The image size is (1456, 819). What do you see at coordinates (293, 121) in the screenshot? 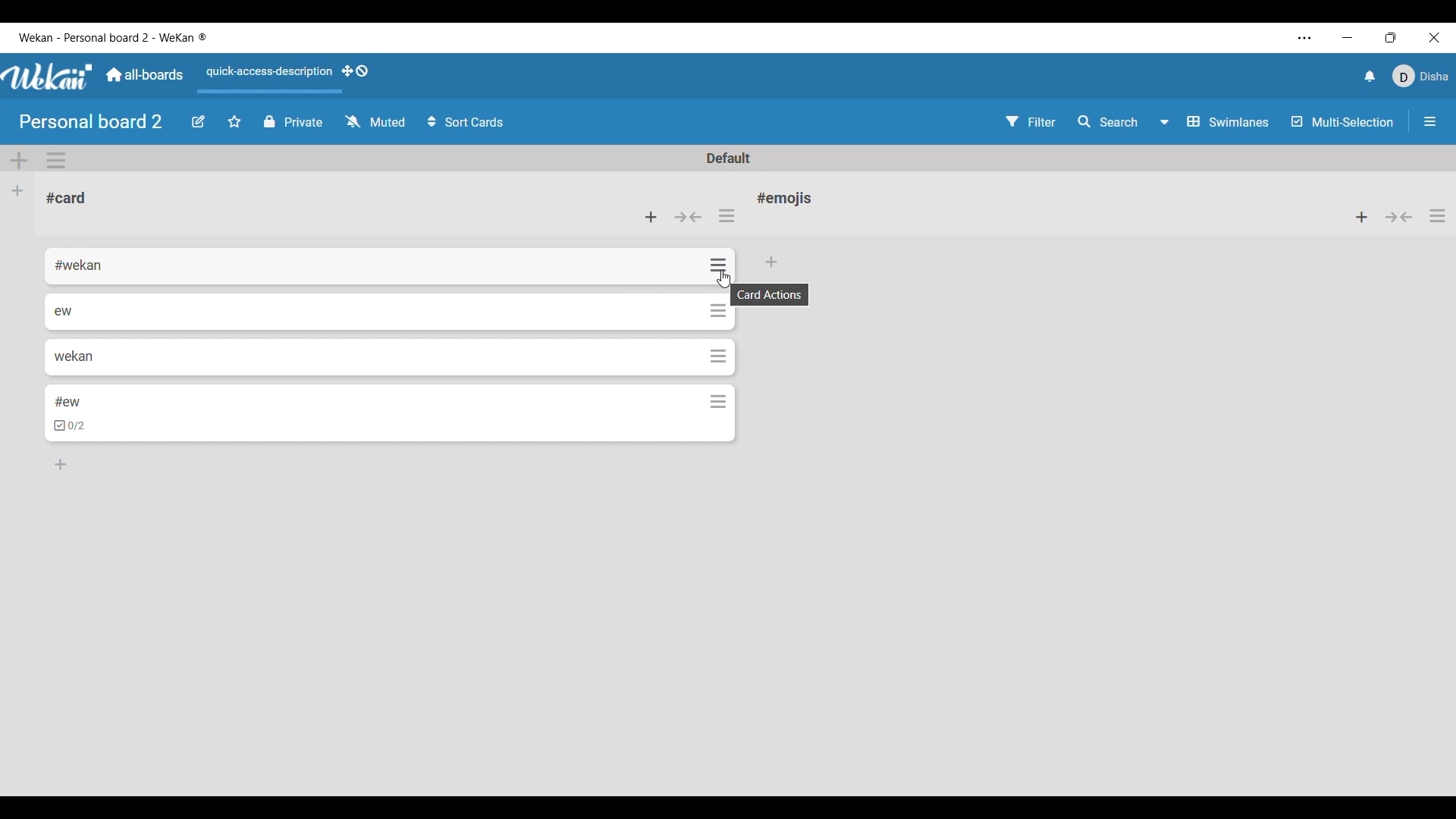
I see `Privacy status of current board` at bounding box center [293, 121].